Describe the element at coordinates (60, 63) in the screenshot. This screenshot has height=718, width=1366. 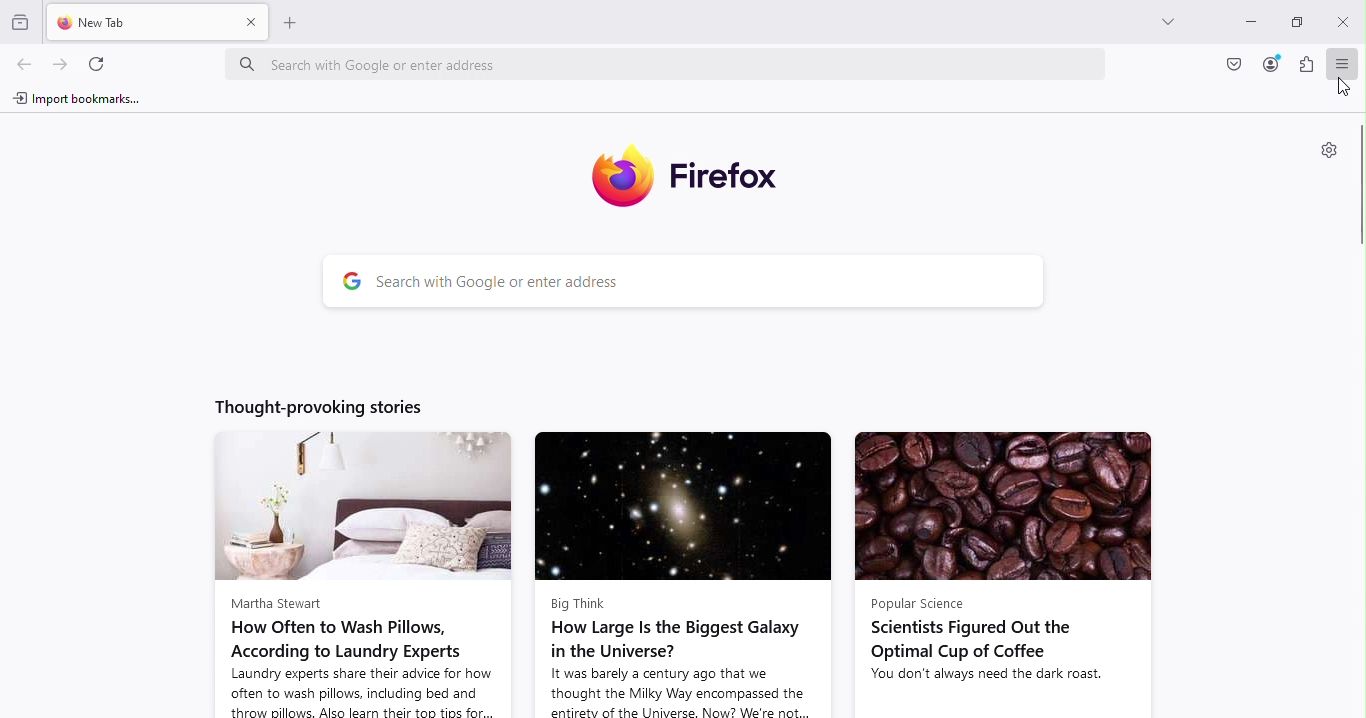
I see `Go forward one page` at that location.